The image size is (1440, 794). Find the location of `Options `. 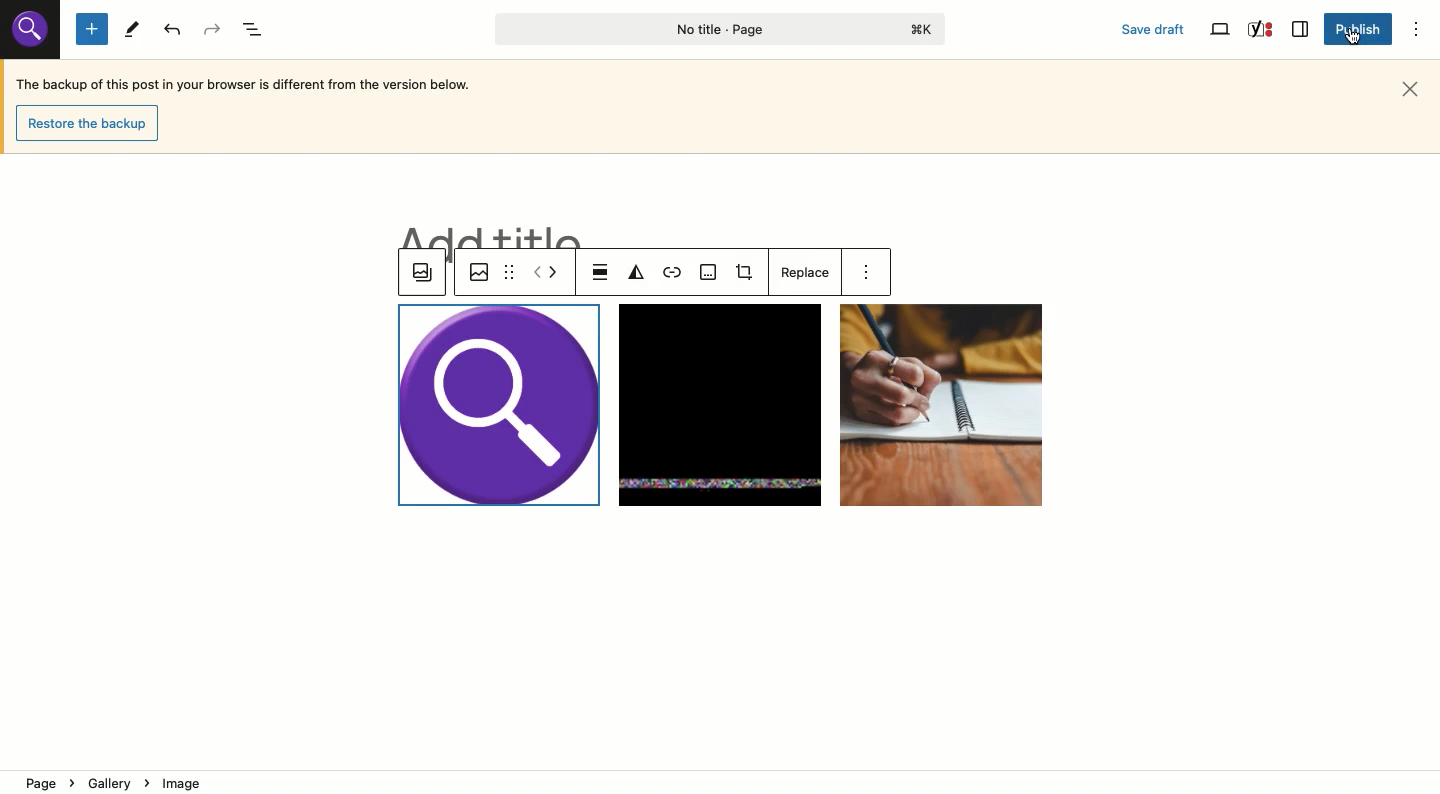

Options  is located at coordinates (1417, 31).